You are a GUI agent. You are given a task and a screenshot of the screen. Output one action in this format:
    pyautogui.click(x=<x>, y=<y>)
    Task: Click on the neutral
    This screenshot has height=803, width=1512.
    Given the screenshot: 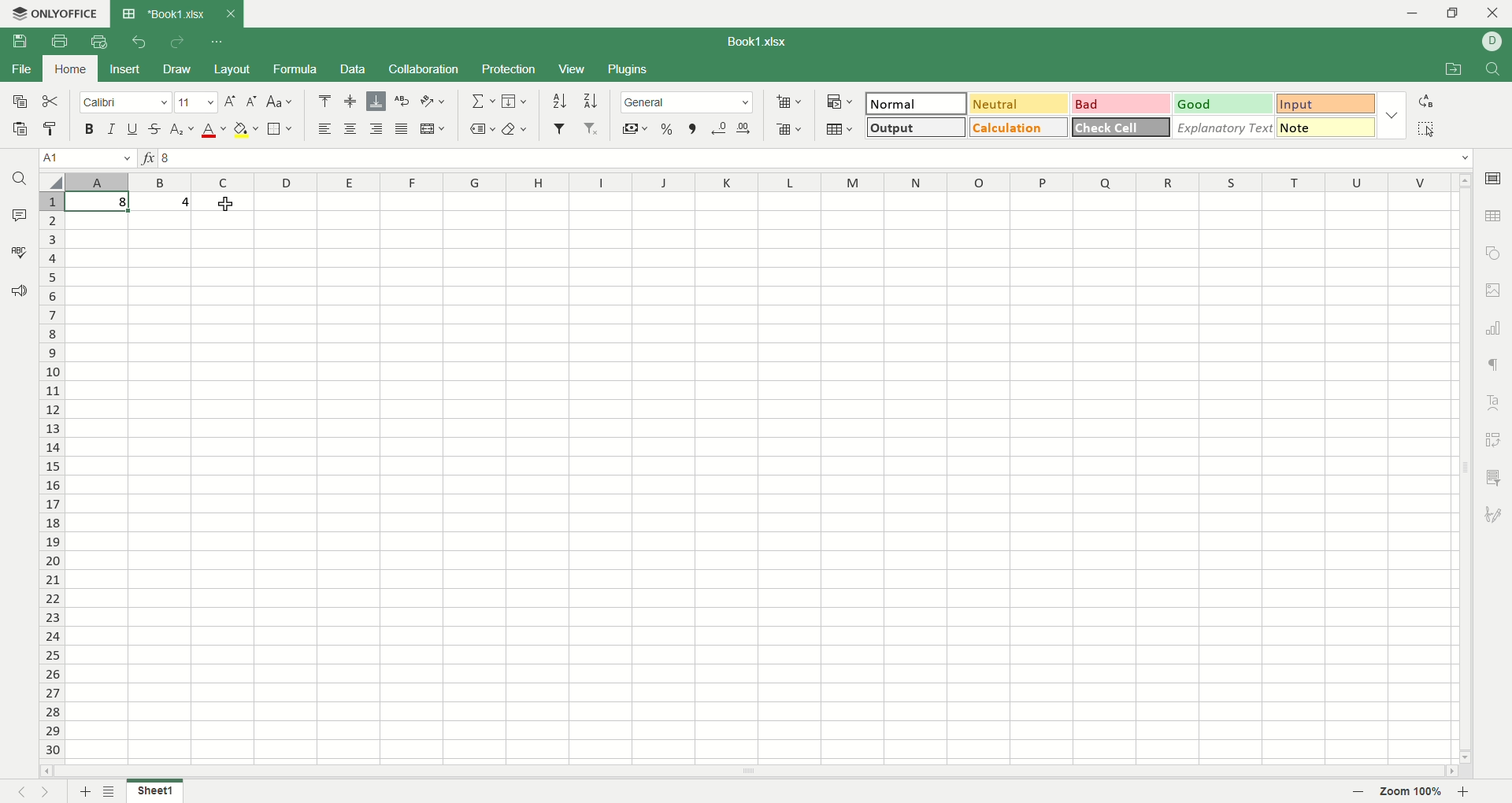 What is the action you would take?
    pyautogui.click(x=1020, y=104)
    